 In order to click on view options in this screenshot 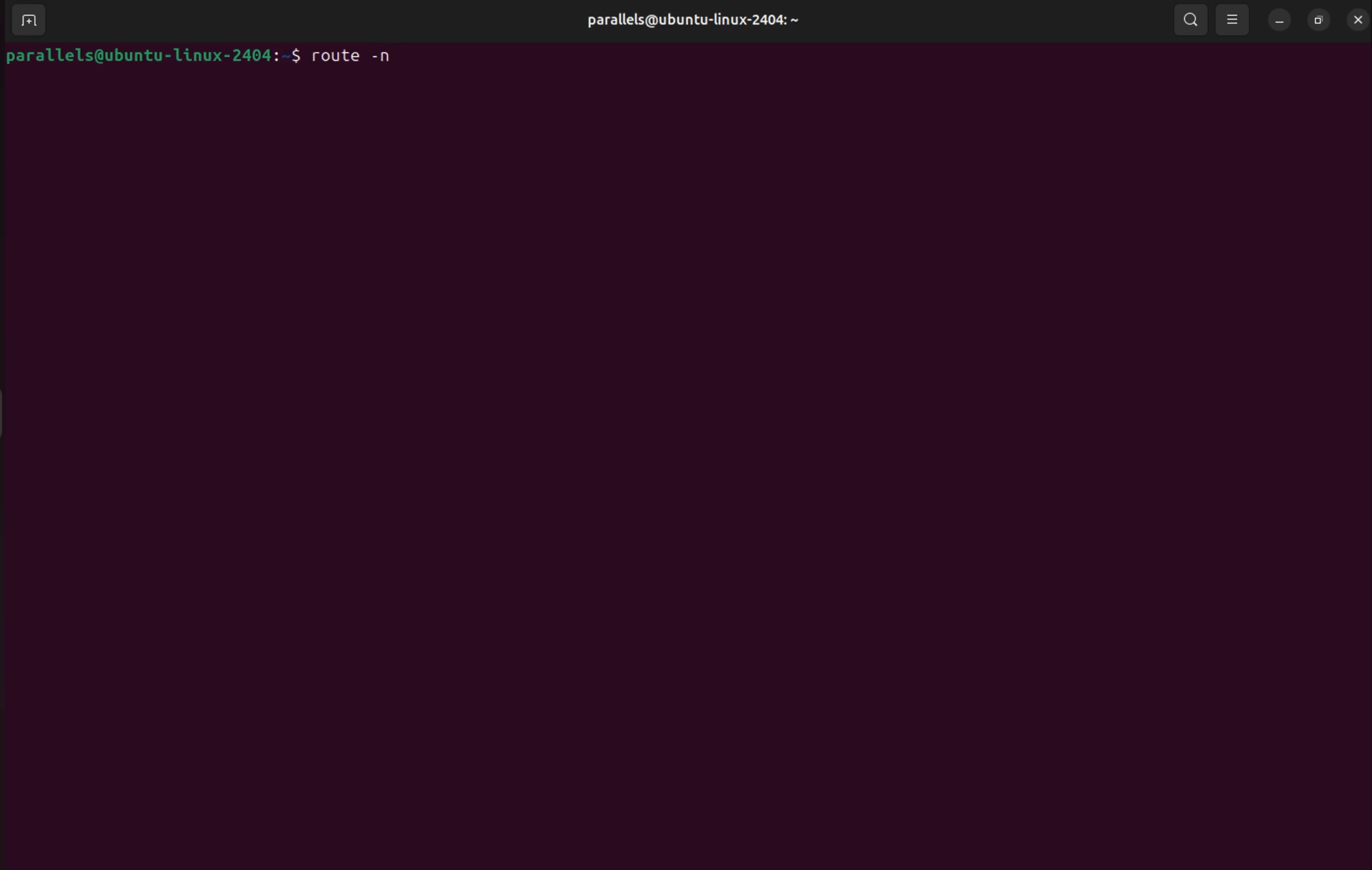, I will do `click(1235, 19)`.